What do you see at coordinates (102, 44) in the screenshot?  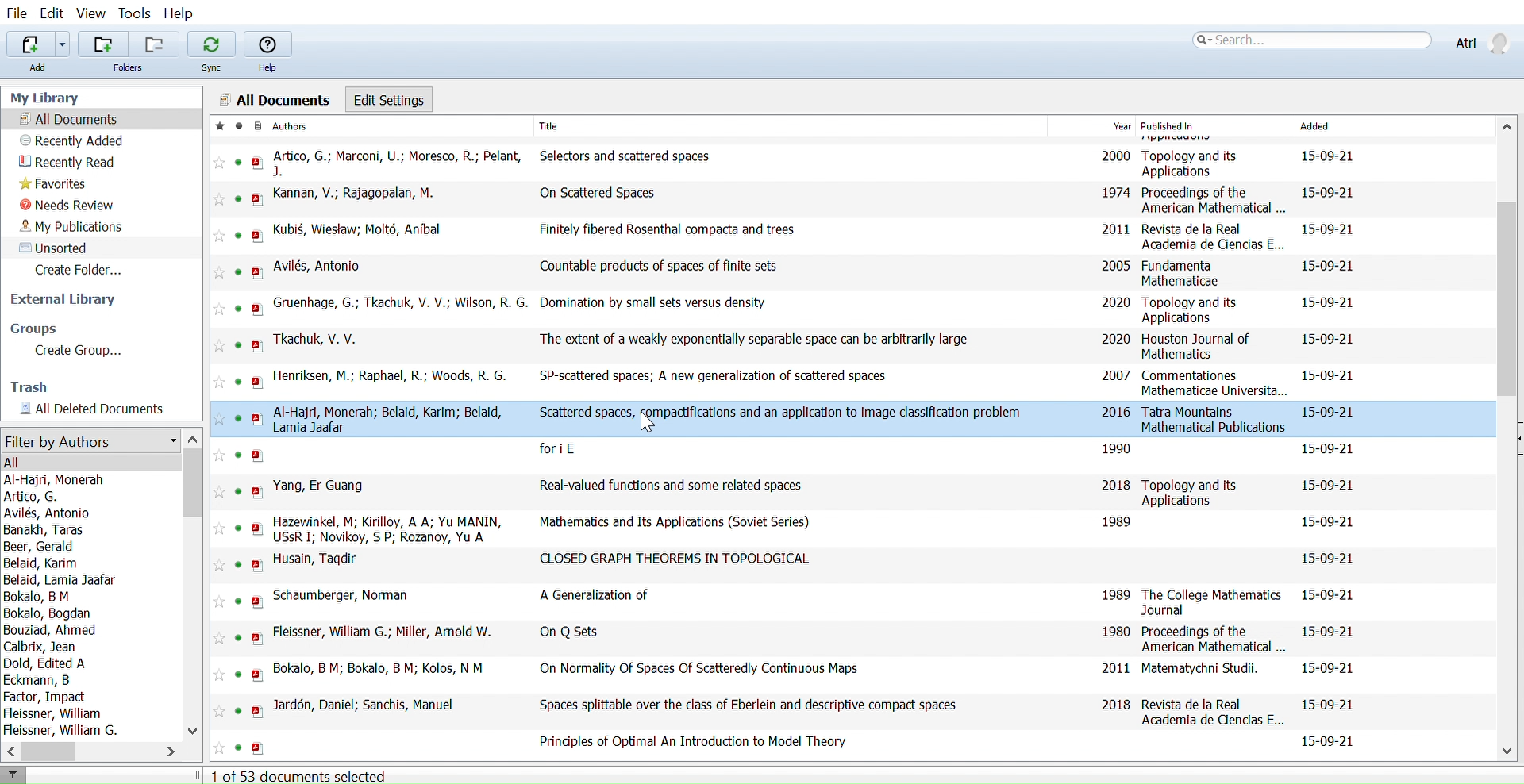 I see `Add folders` at bounding box center [102, 44].